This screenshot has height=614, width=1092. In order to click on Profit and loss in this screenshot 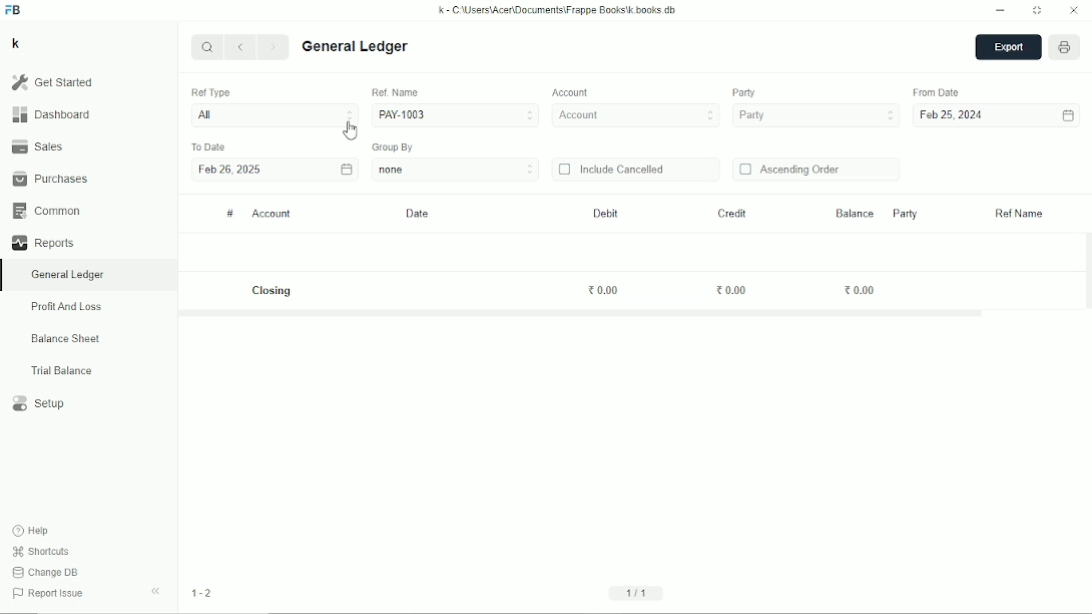, I will do `click(66, 307)`.